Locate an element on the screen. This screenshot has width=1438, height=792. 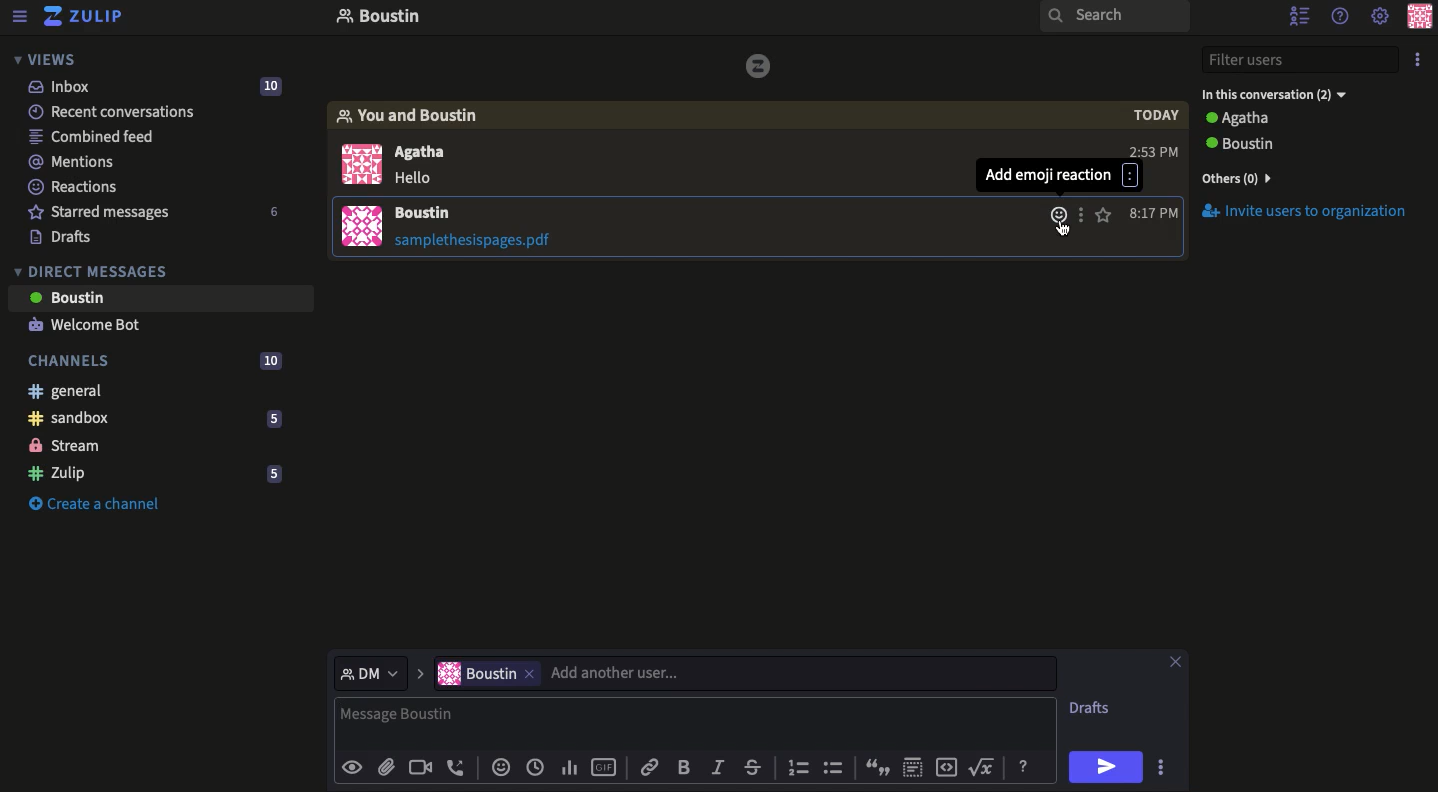
Create a channel is located at coordinates (91, 503).